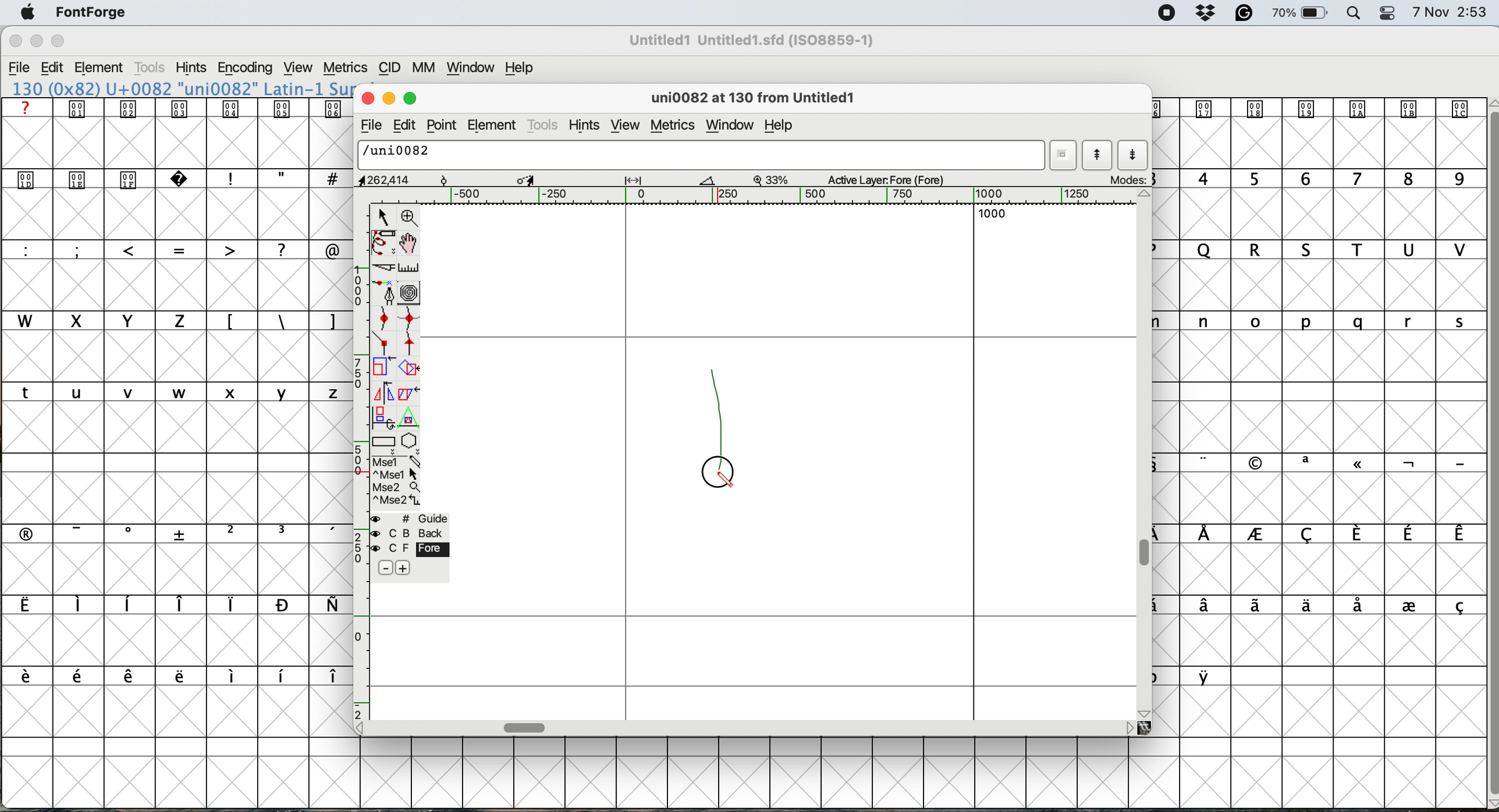 This screenshot has width=1499, height=812. What do you see at coordinates (22, 69) in the screenshot?
I see `file` at bounding box center [22, 69].